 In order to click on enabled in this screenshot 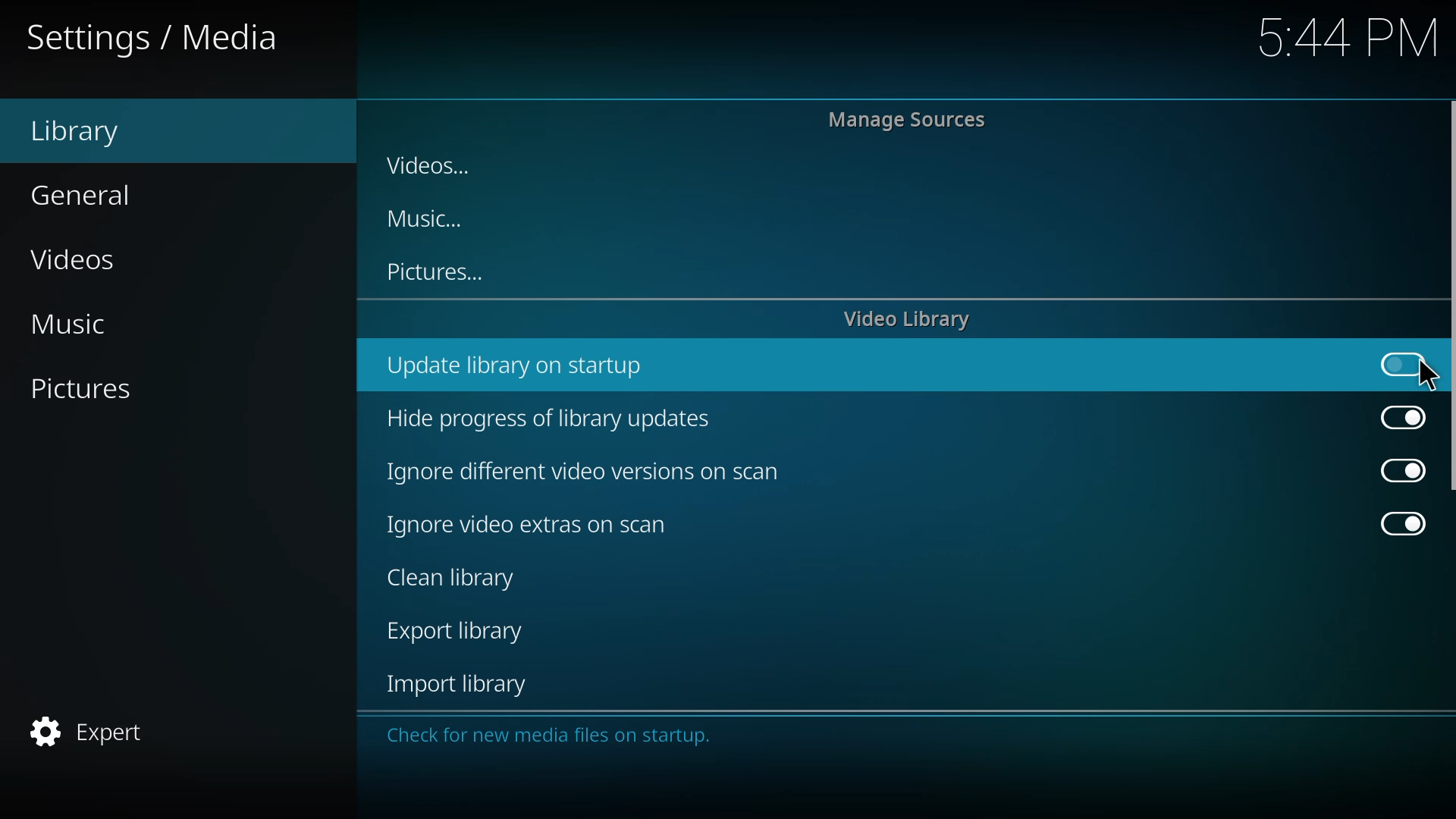, I will do `click(1395, 521)`.